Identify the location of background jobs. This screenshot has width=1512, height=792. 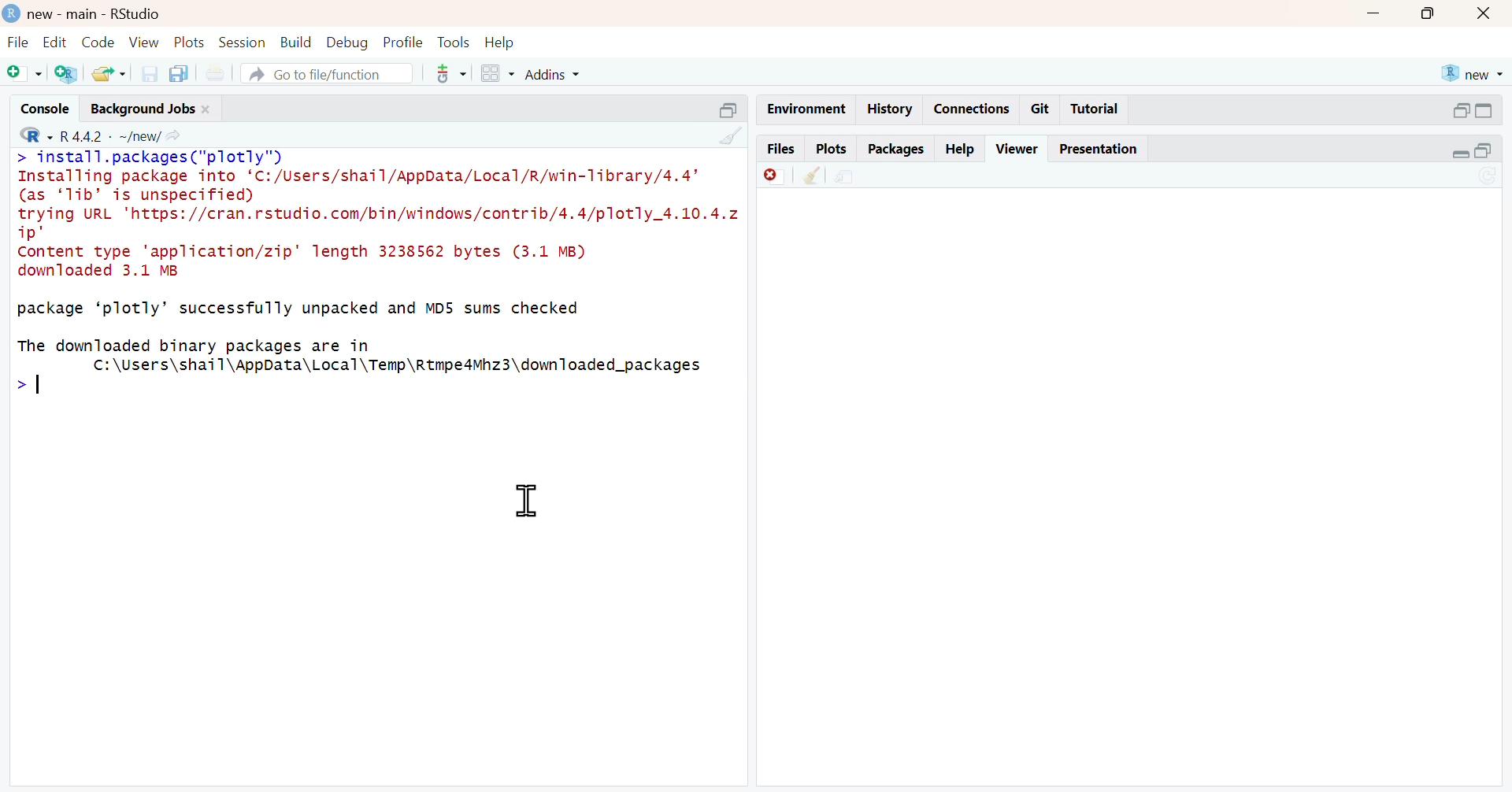
(139, 108).